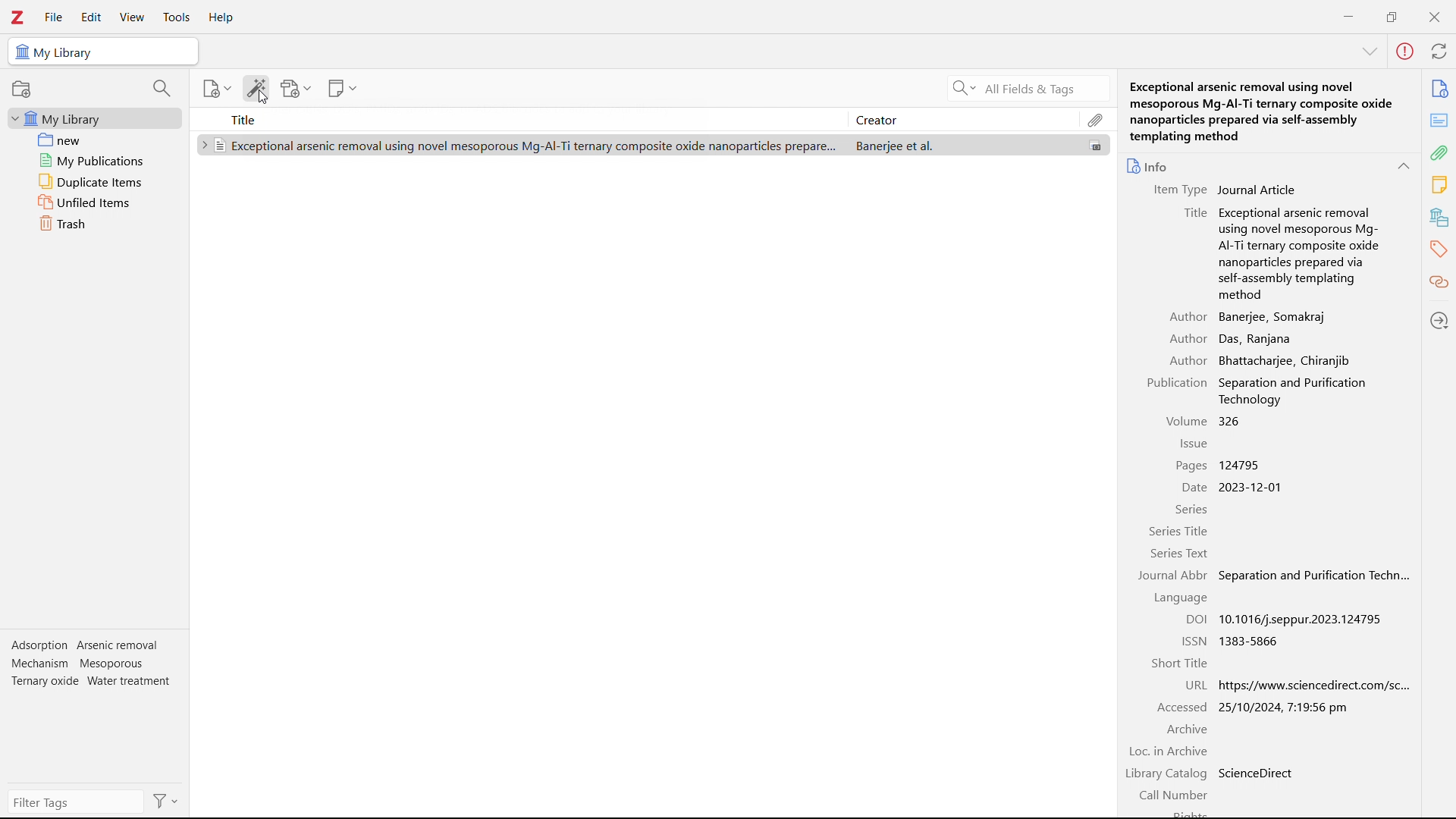 This screenshot has height=819, width=1456. I want to click on Exceptional arsenic removal using novel Mesoporous Mg-Al-Ti ternary composite oxides nanoparticles prepared via Self-Assembly templating method, so click(1301, 253).